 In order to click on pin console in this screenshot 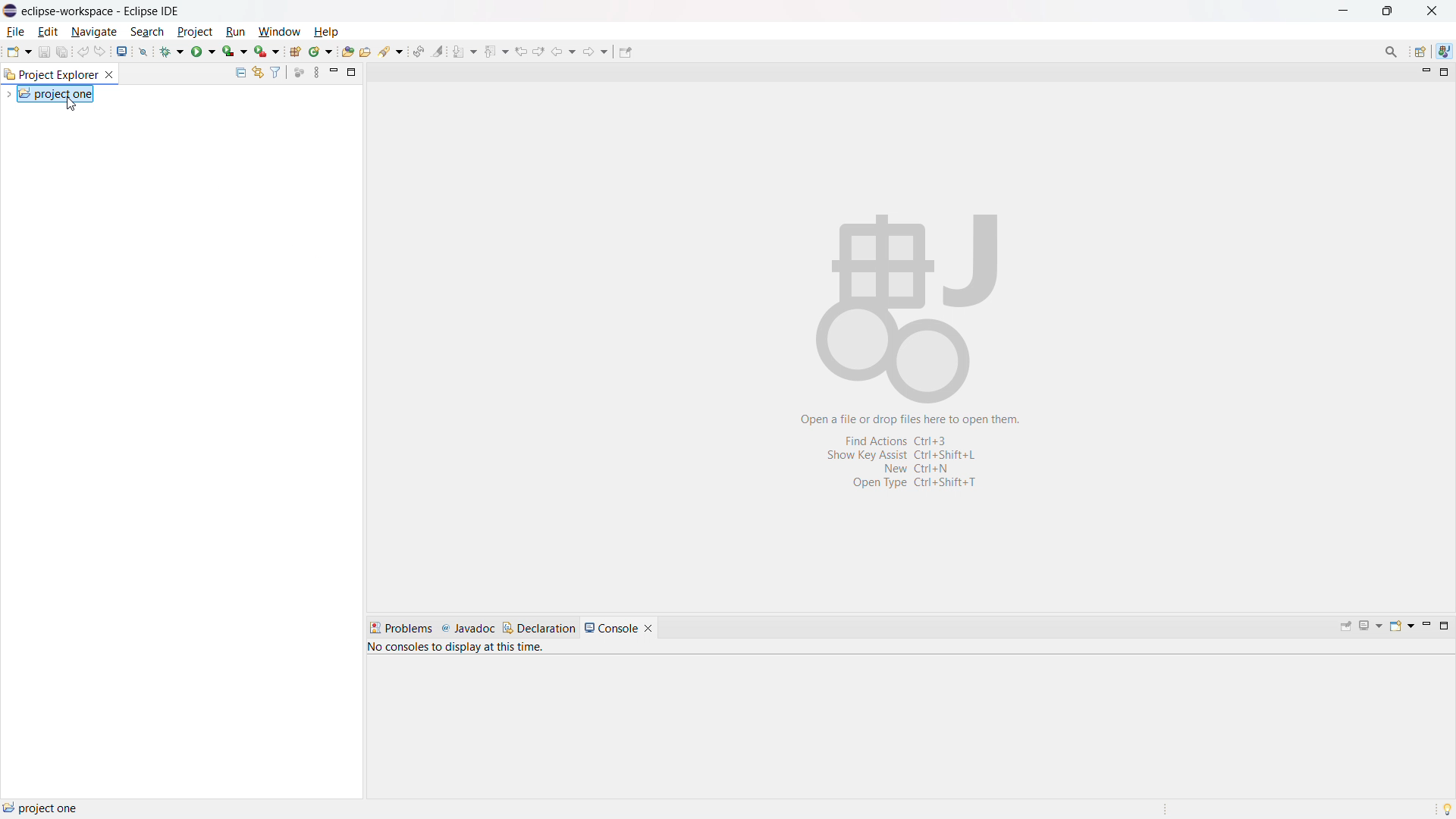, I will do `click(1346, 627)`.